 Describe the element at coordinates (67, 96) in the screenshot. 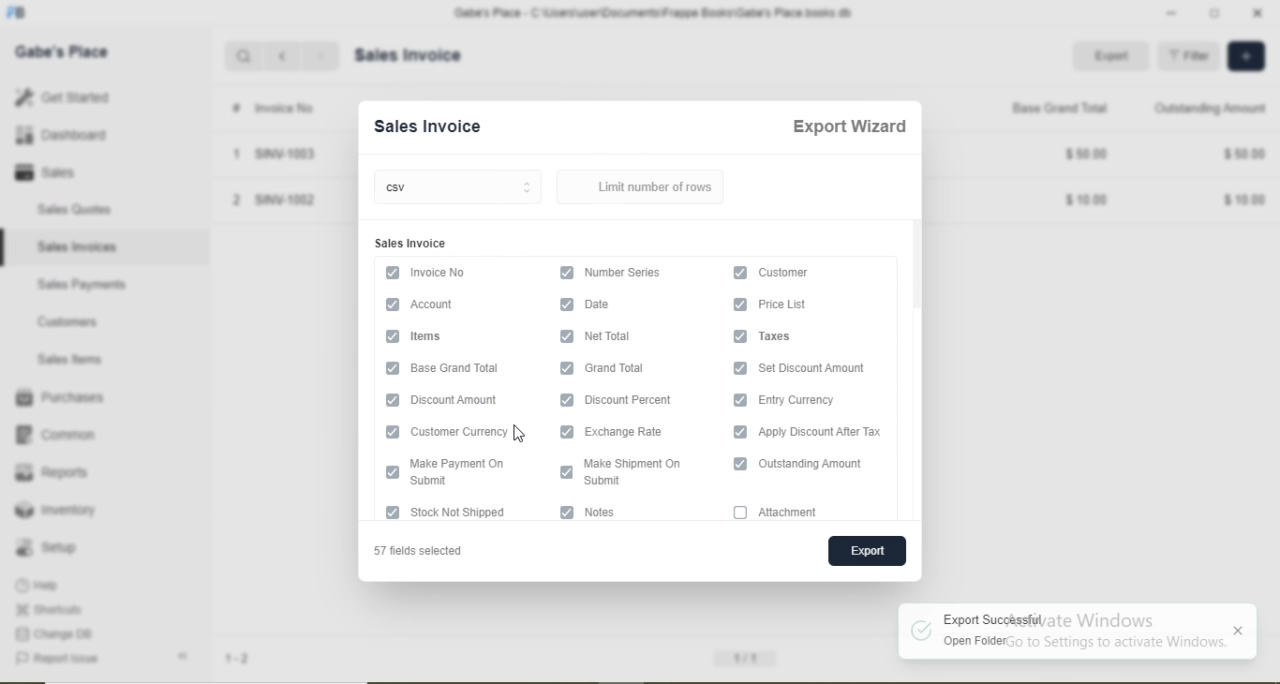

I see `Get Started` at that location.